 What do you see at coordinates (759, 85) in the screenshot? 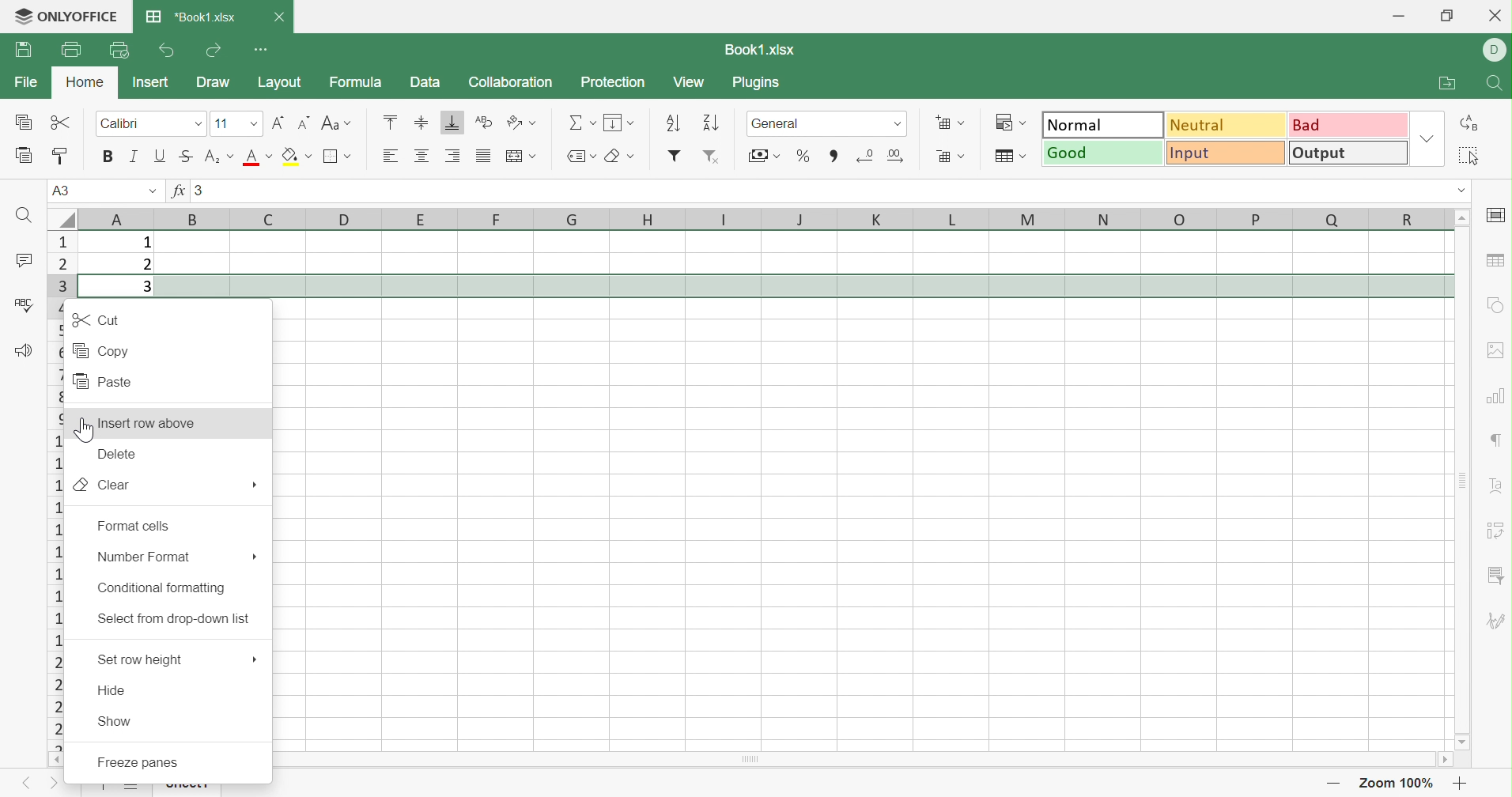
I see `Plugins` at bounding box center [759, 85].